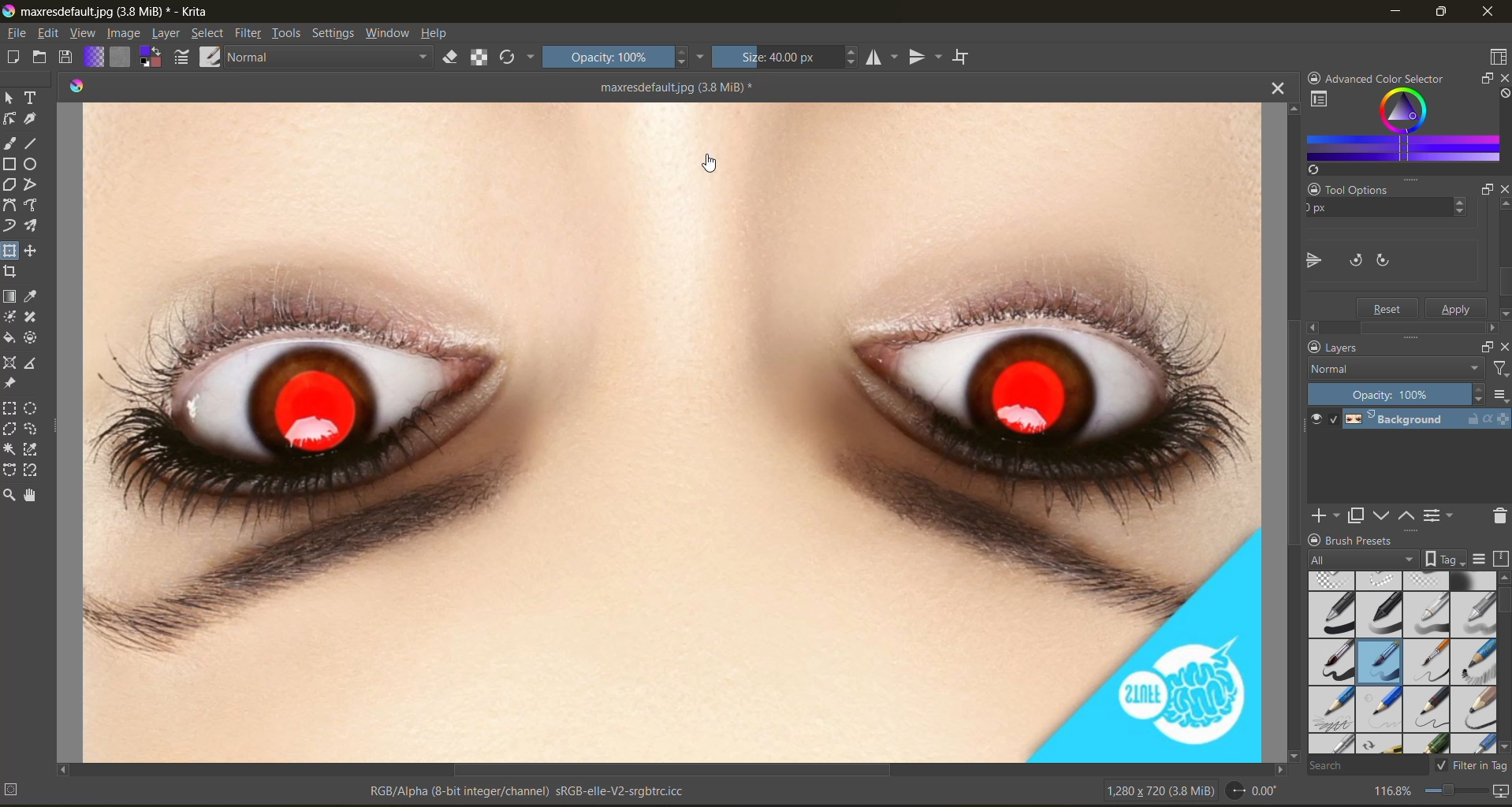  What do you see at coordinates (151, 57) in the screenshot?
I see `swap foreground background color` at bounding box center [151, 57].